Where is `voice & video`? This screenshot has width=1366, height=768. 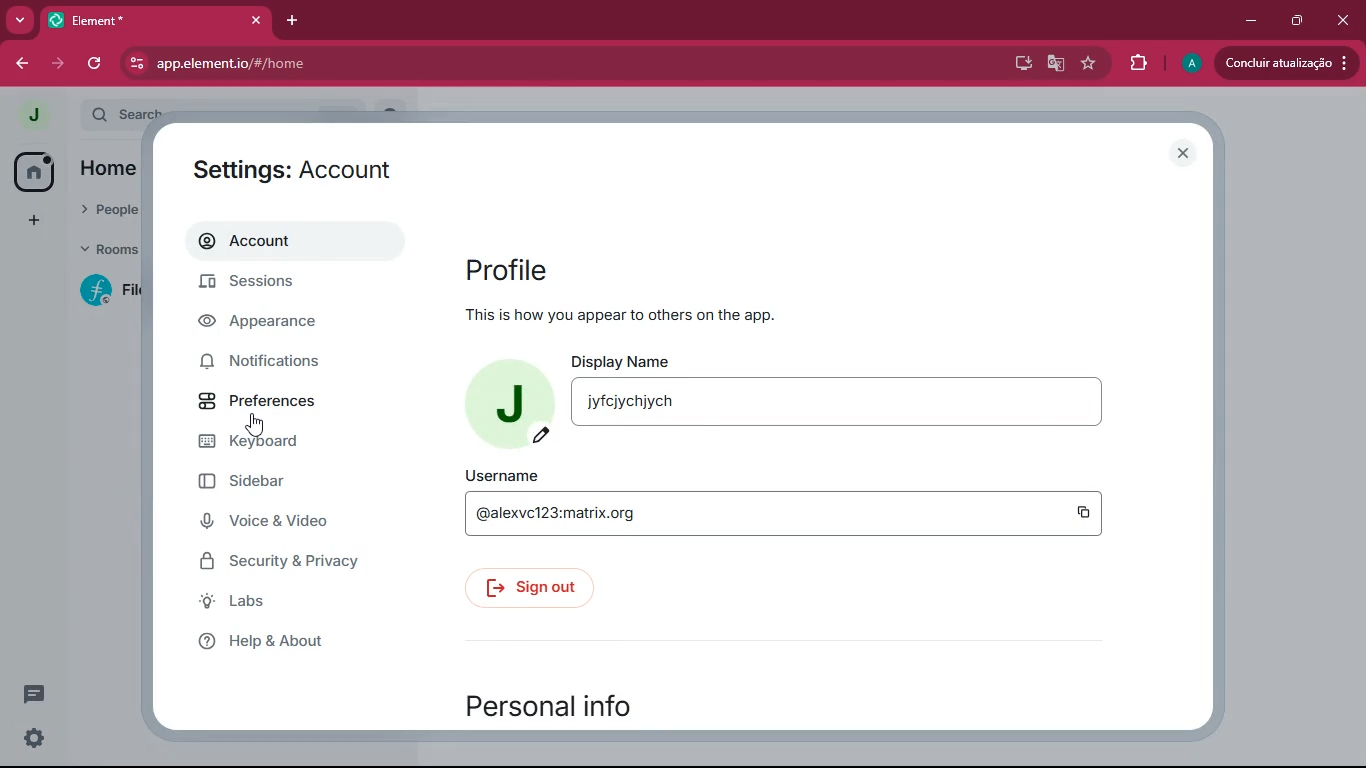
voice & video is located at coordinates (283, 525).